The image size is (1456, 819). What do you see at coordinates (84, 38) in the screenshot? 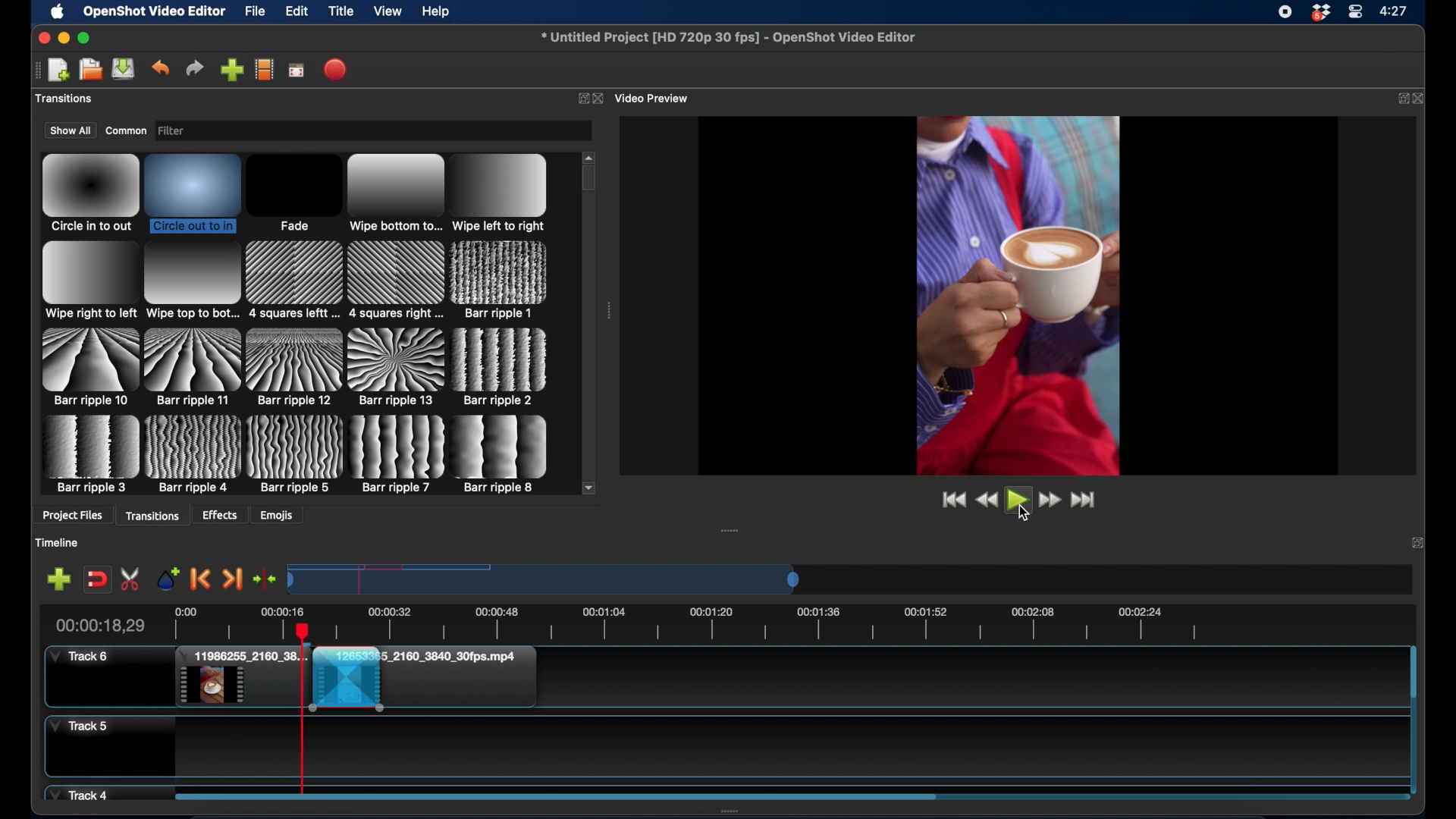
I see `maximize` at bounding box center [84, 38].